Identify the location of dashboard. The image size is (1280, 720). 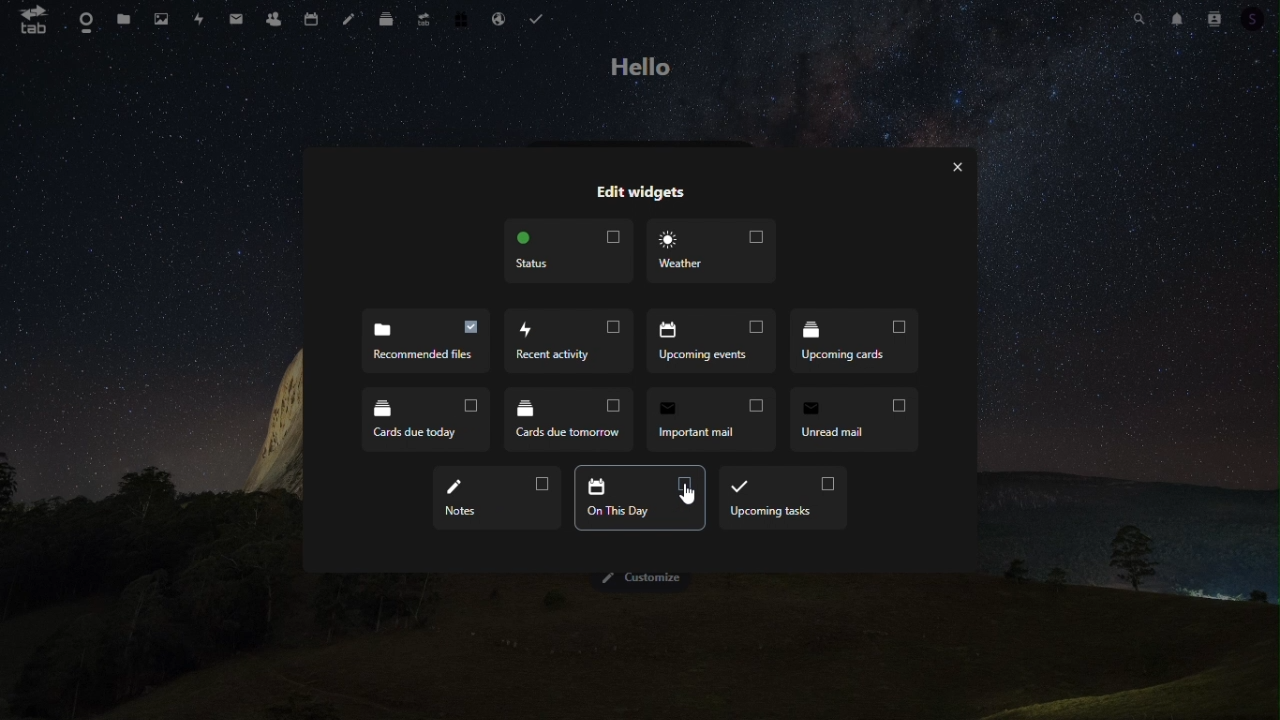
(82, 23).